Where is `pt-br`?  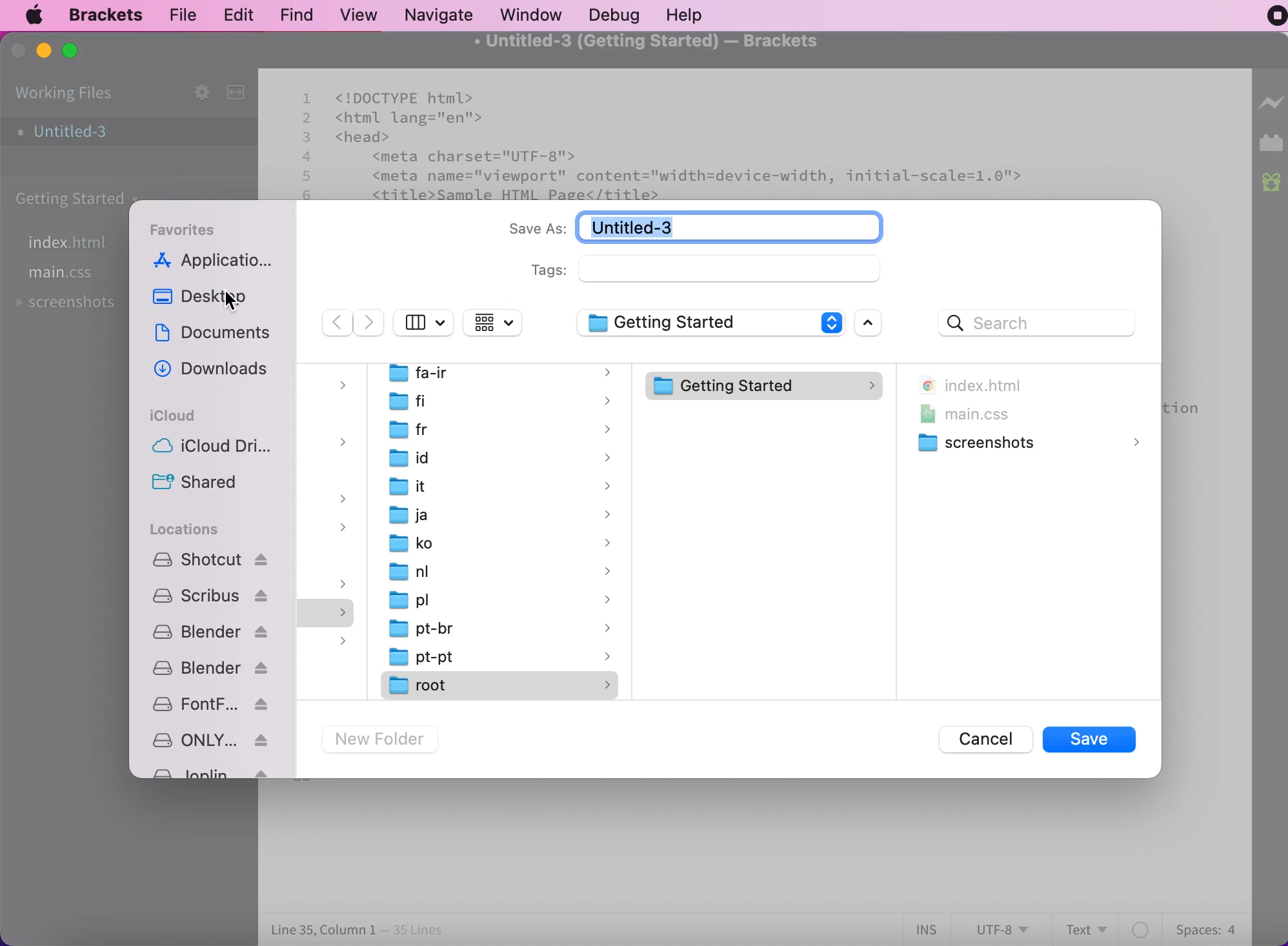
pt-br is located at coordinates (501, 628).